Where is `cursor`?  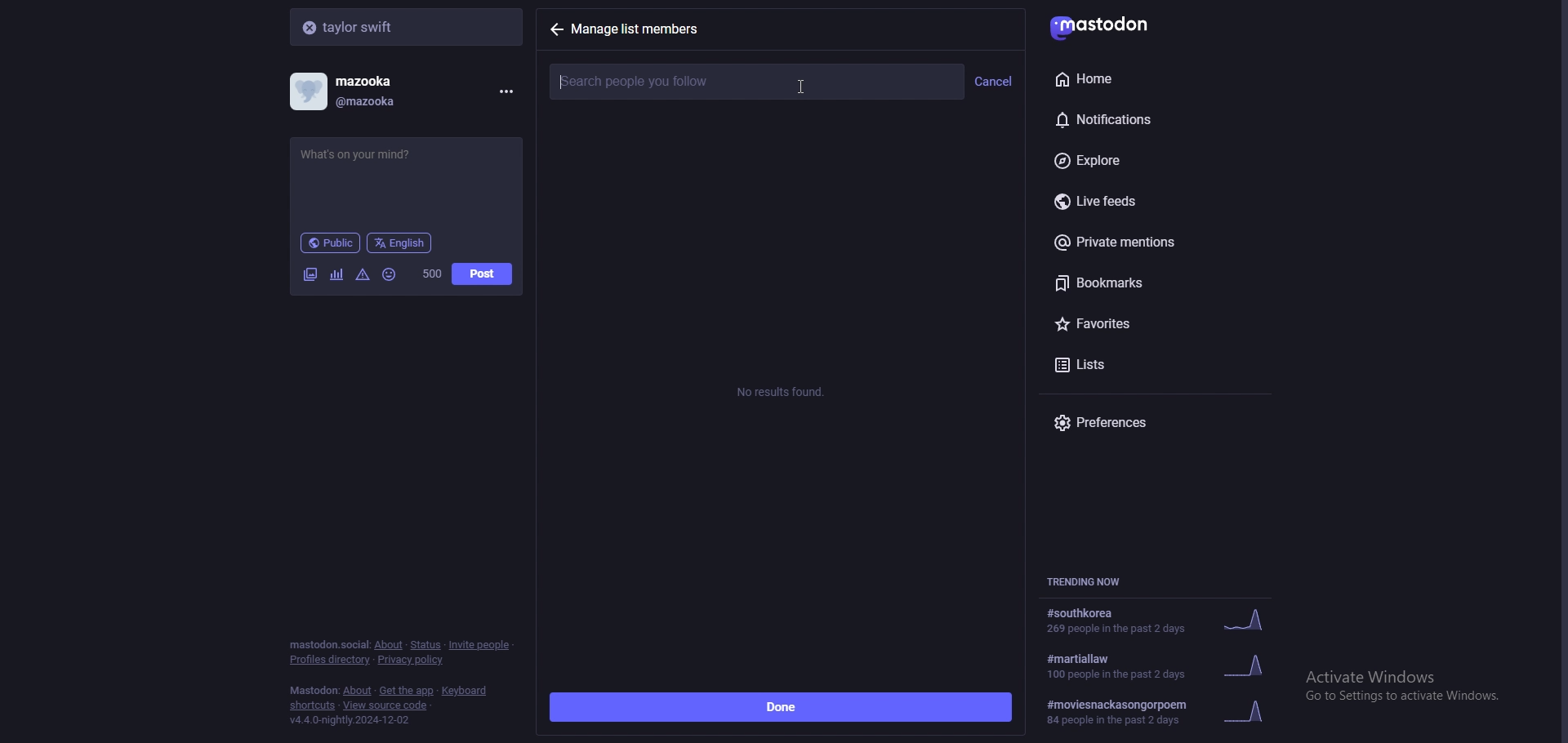 cursor is located at coordinates (802, 87).